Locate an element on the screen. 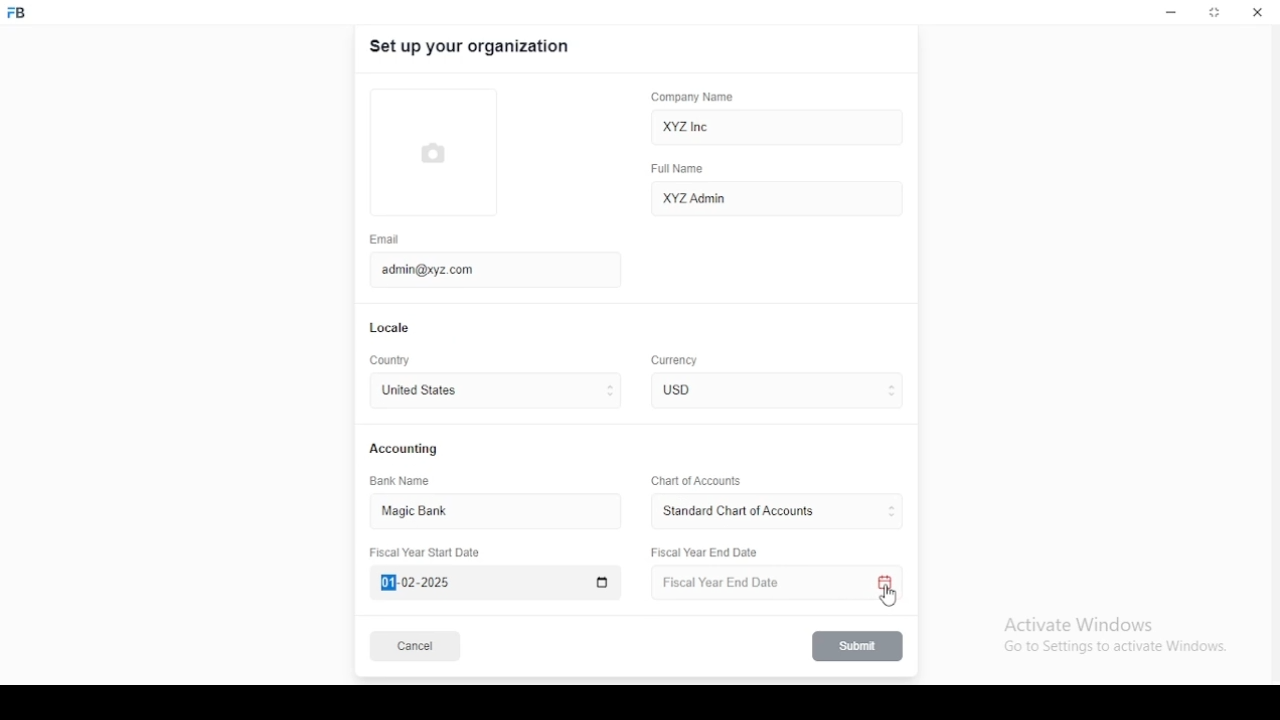 The image size is (1280, 720). Currency is located at coordinates (675, 361).